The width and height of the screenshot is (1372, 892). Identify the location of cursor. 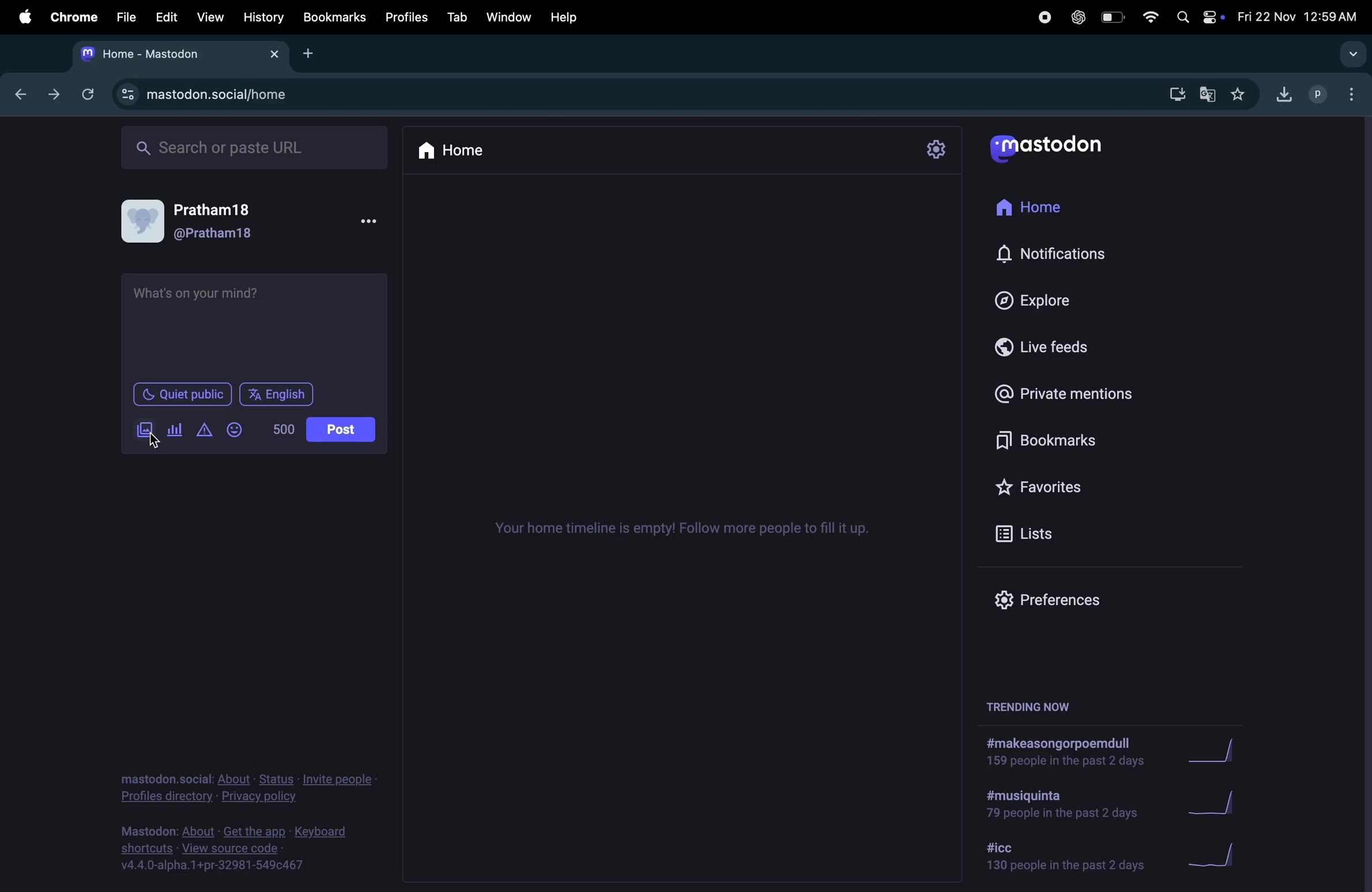
(157, 444).